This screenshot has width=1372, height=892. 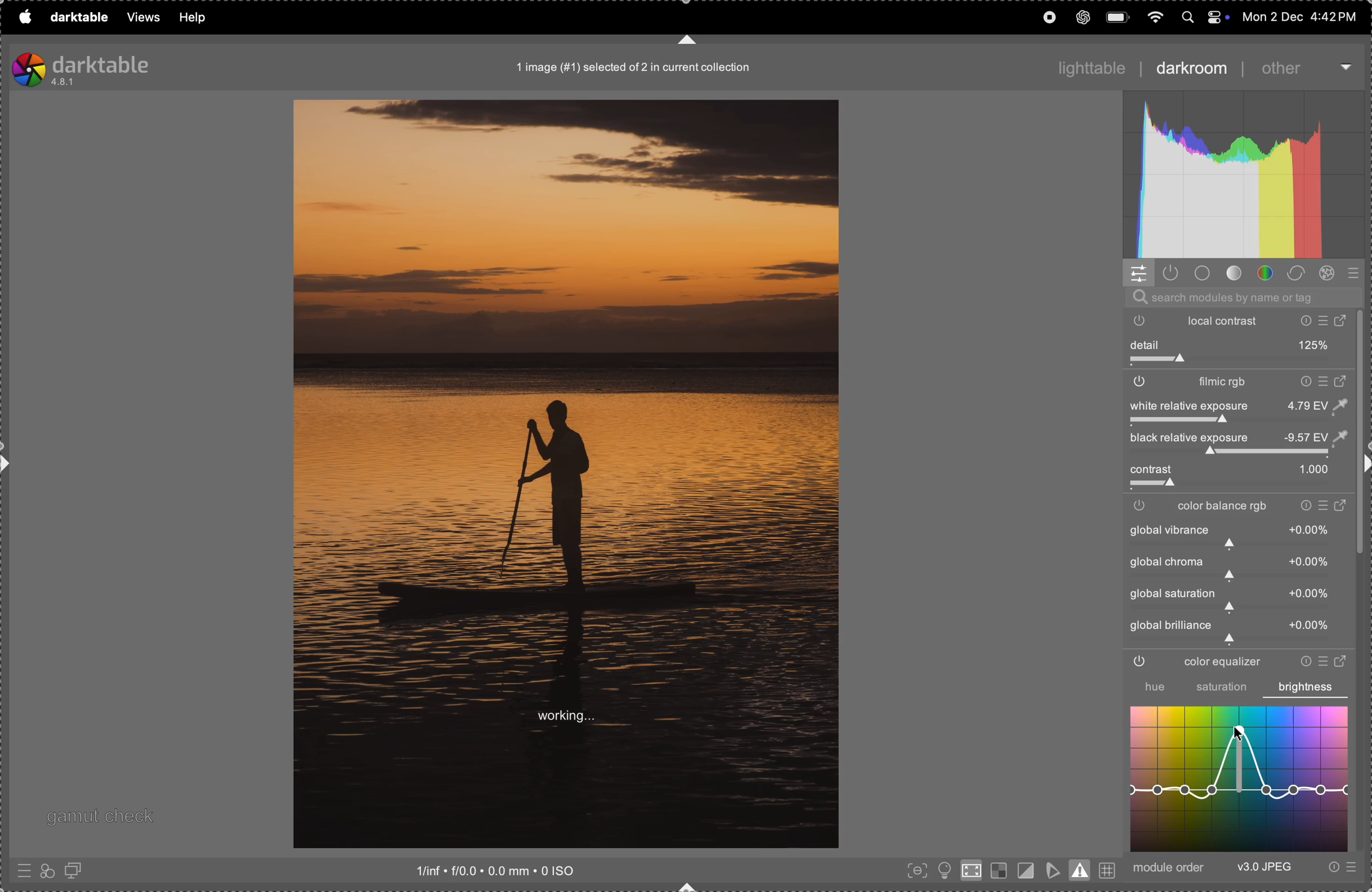 What do you see at coordinates (1240, 734) in the screenshot?
I see `cursor` at bounding box center [1240, 734].